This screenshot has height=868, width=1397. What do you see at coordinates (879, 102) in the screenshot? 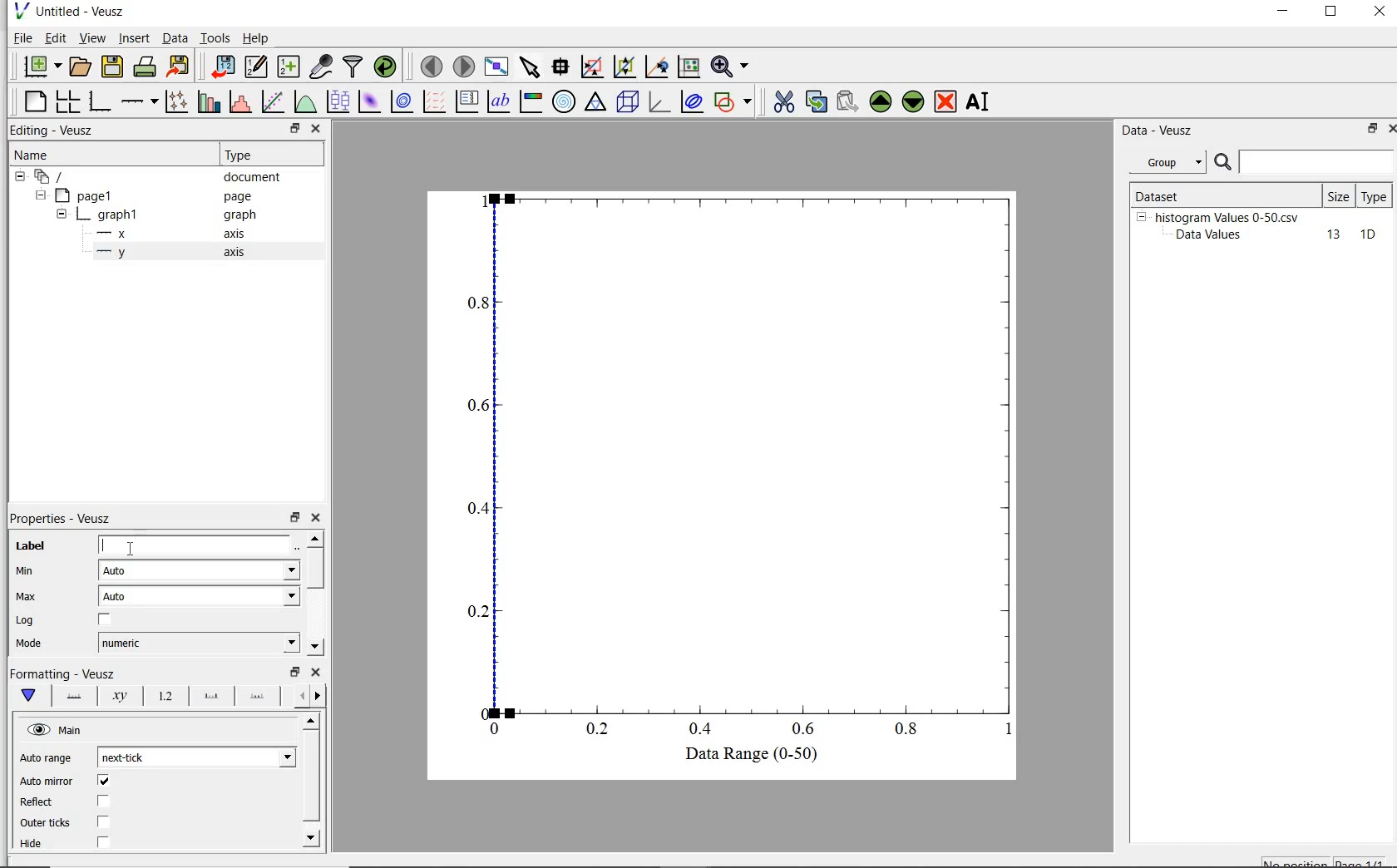
I see `move up the selected widget` at bounding box center [879, 102].